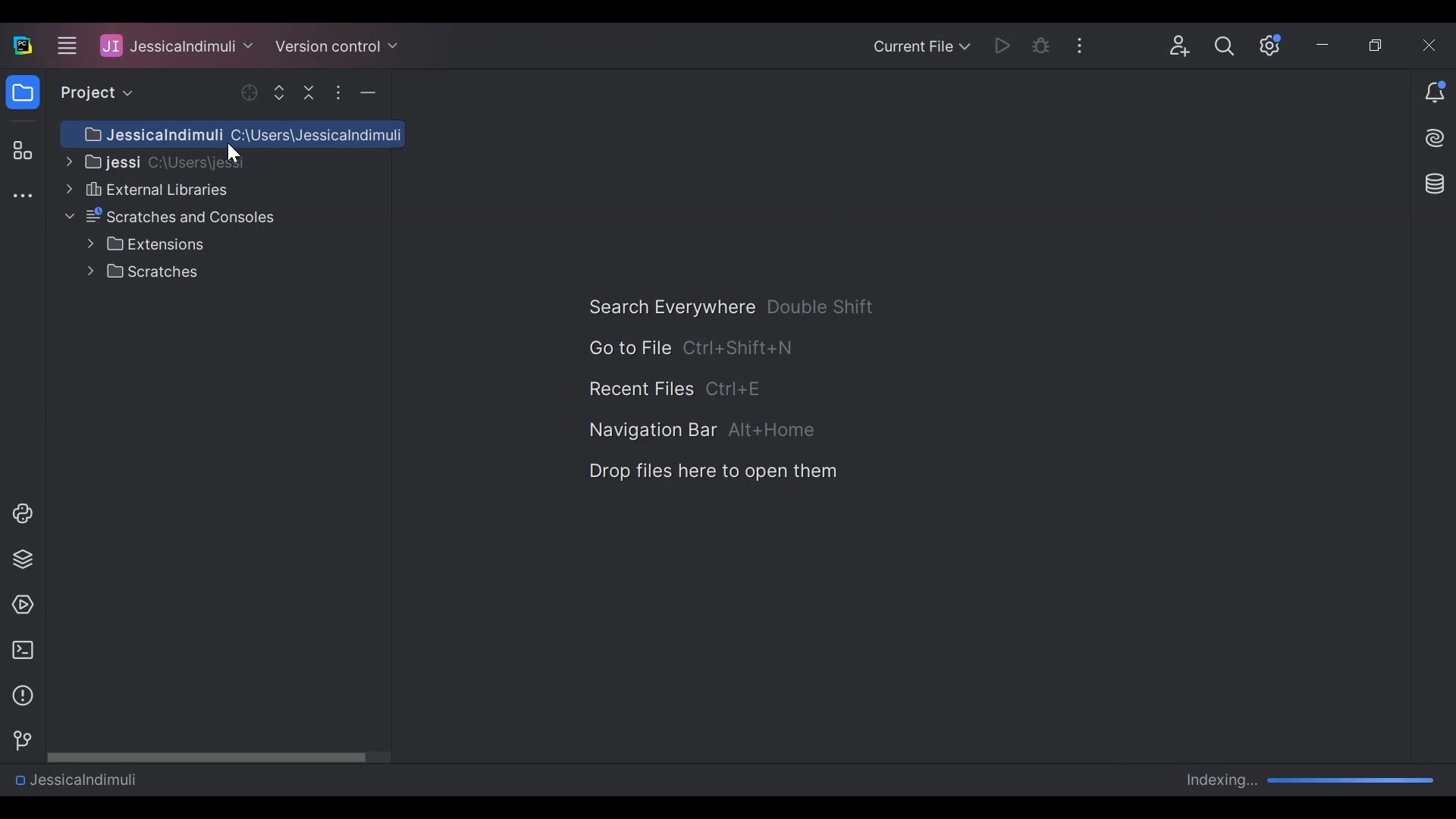 The image size is (1456, 819). I want to click on Go To files, so click(628, 347).